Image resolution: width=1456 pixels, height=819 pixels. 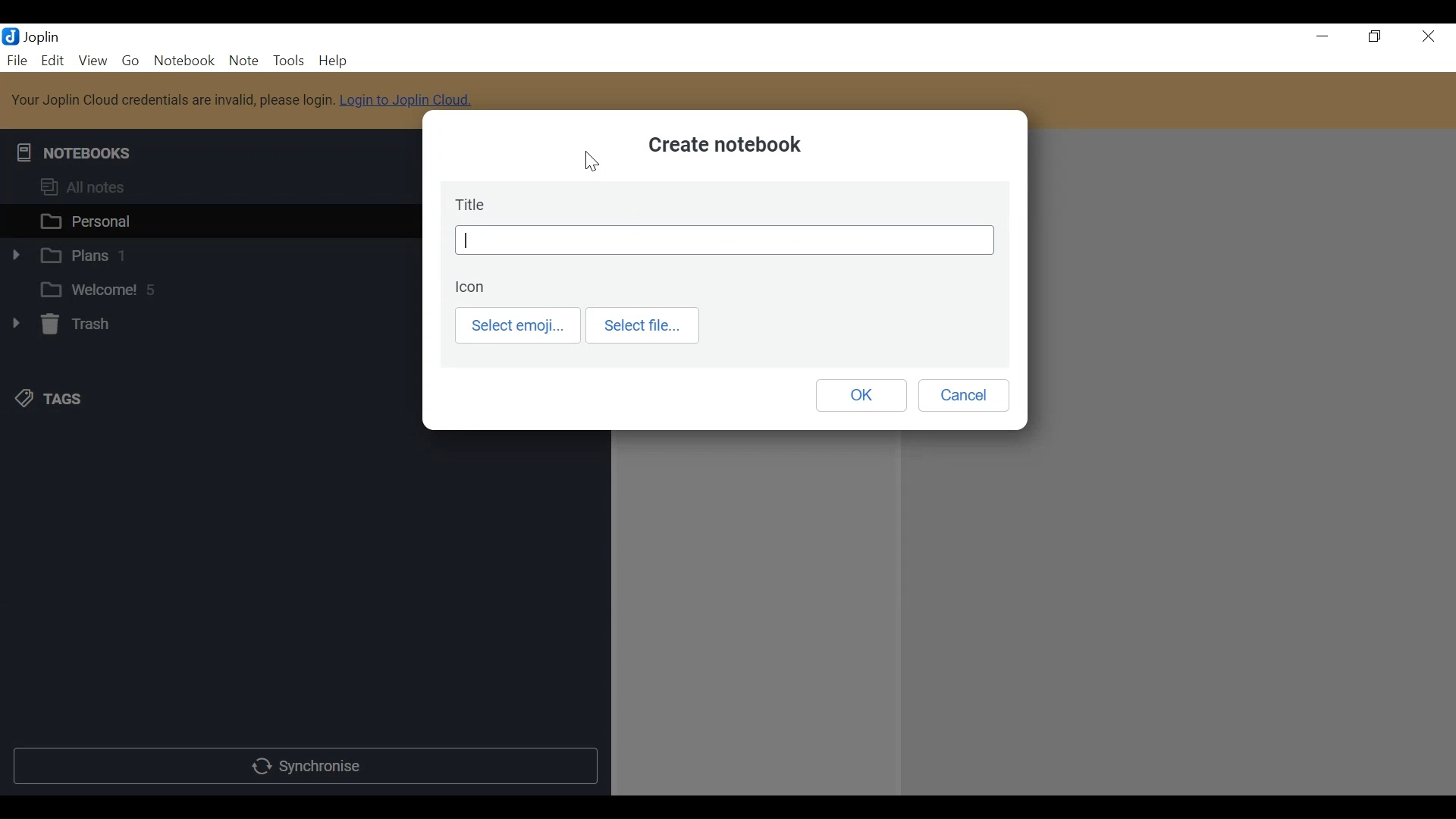 I want to click on Joplin, so click(x=47, y=37).